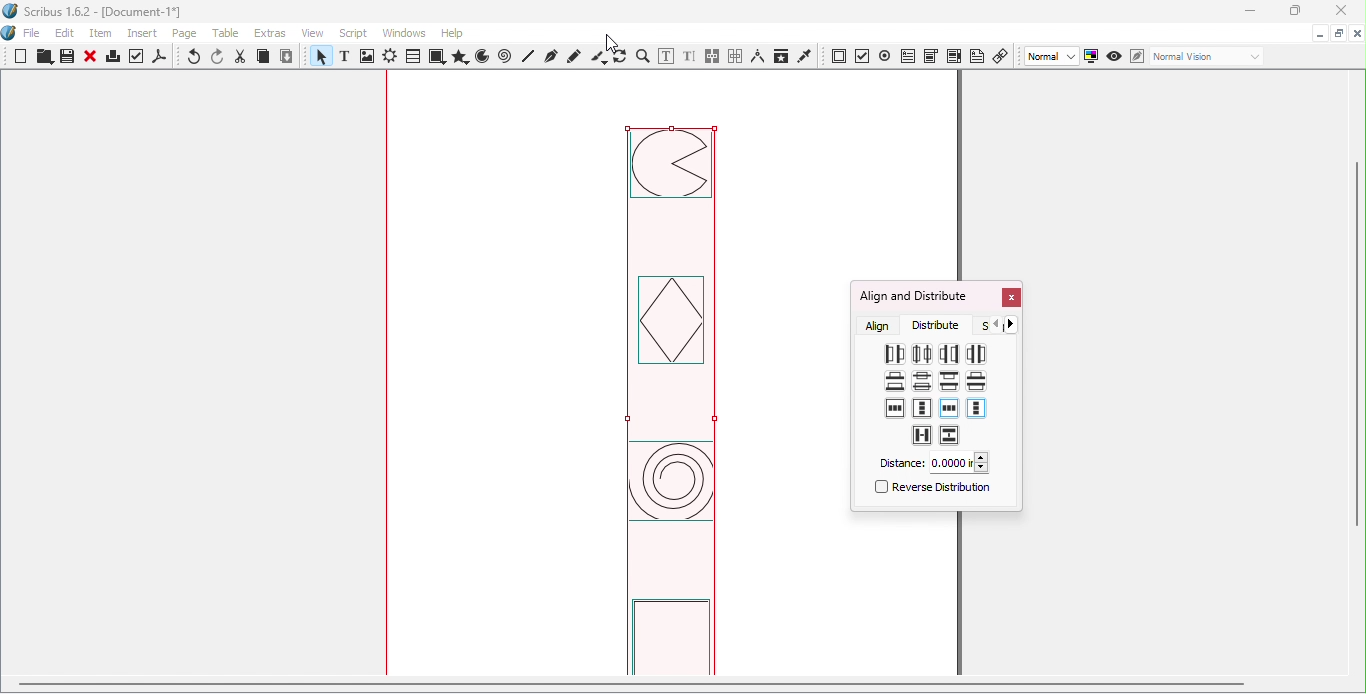 The image size is (1366, 694). I want to click on Distribute left sides equidistantly, so click(893, 355).